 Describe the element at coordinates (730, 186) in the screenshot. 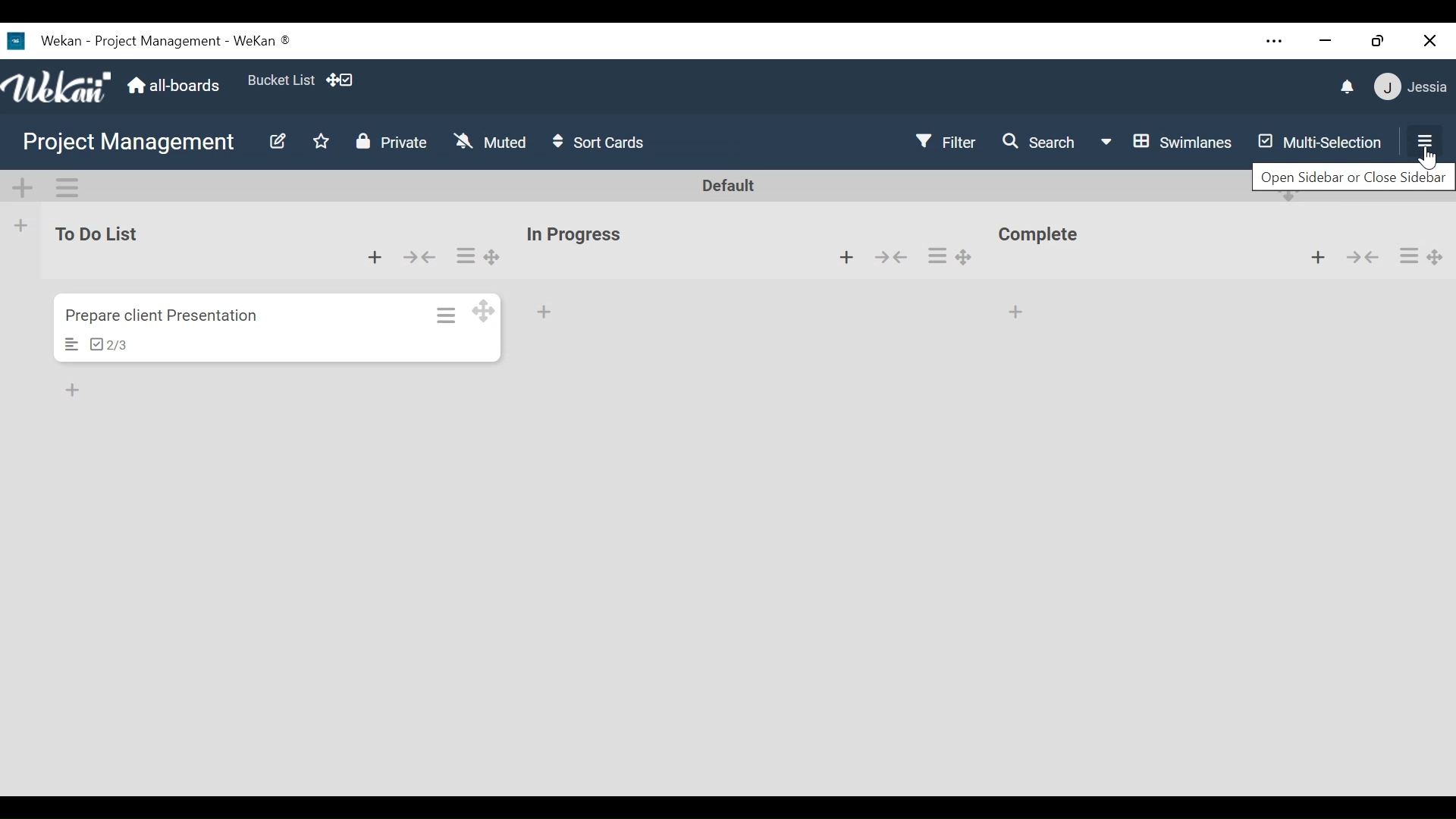

I see `Default` at that location.